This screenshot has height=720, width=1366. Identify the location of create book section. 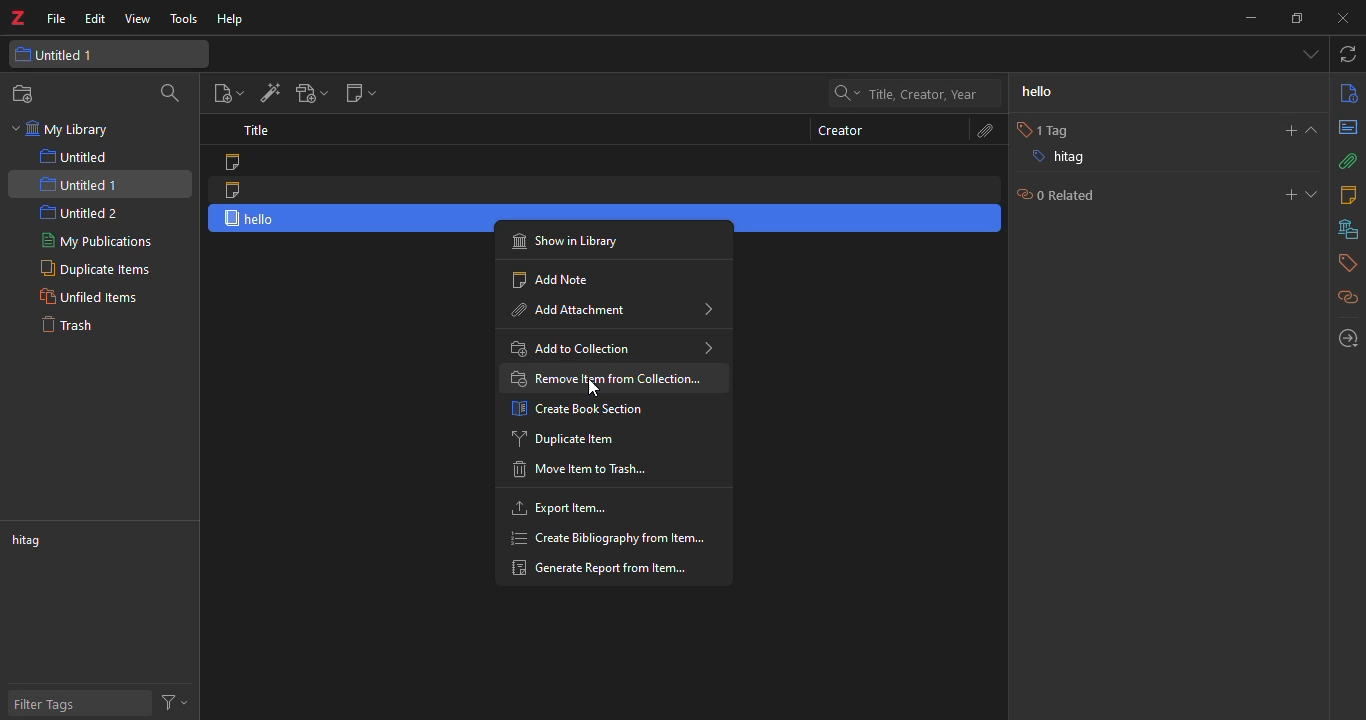
(578, 408).